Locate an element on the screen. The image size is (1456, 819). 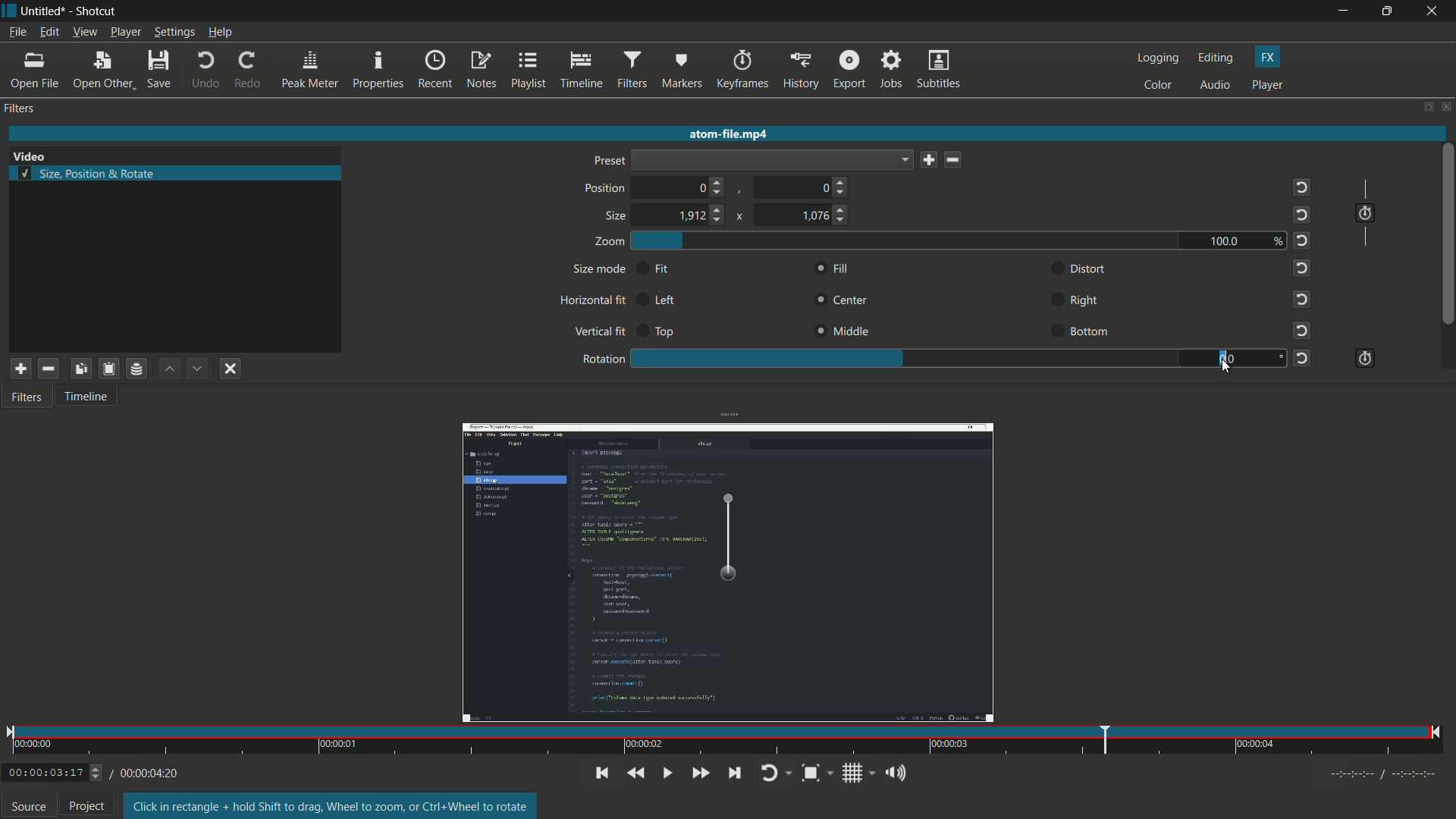
untitled is located at coordinates (43, 11).